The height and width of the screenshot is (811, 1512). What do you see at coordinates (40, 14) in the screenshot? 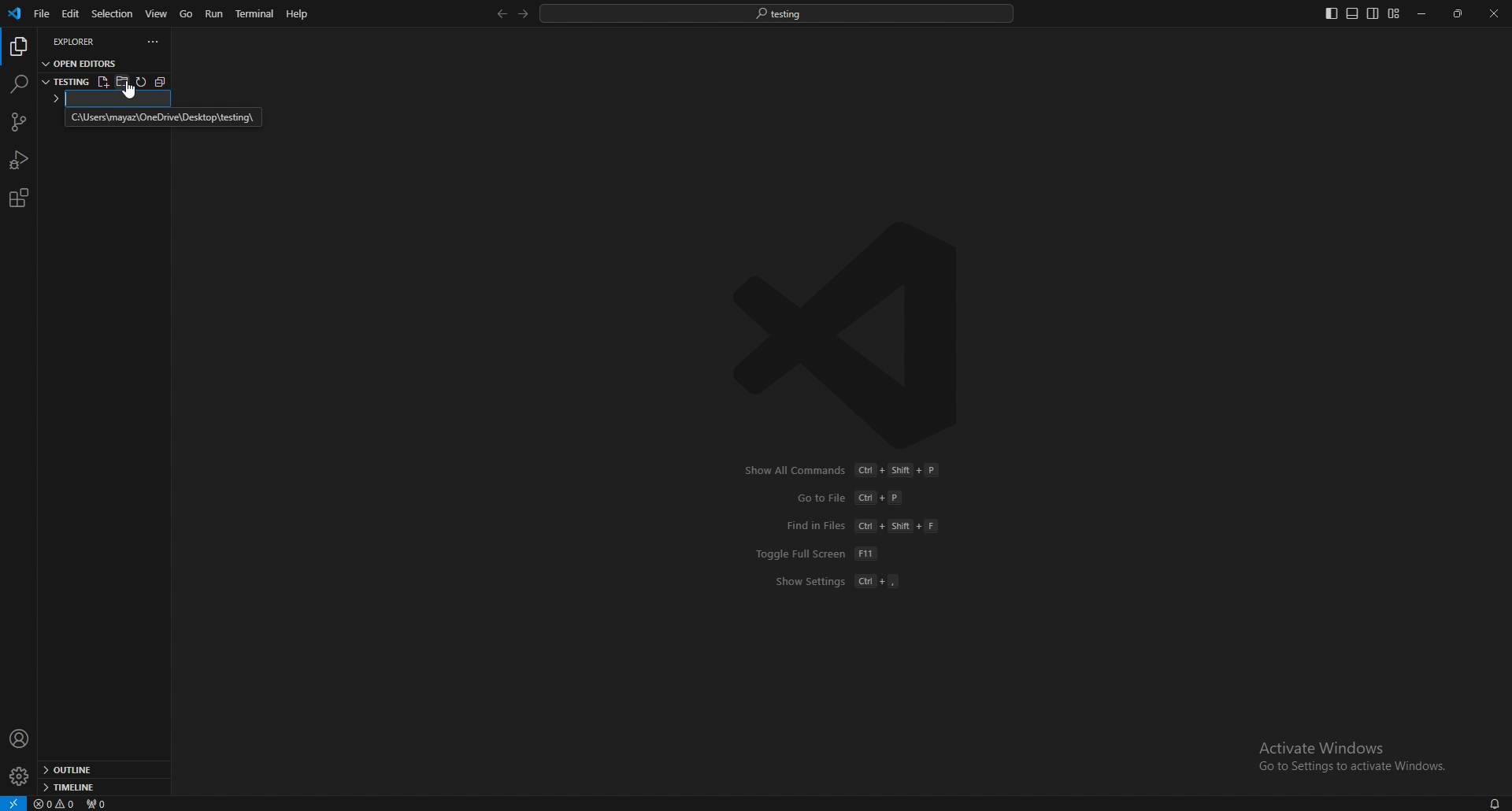
I see `file` at bounding box center [40, 14].